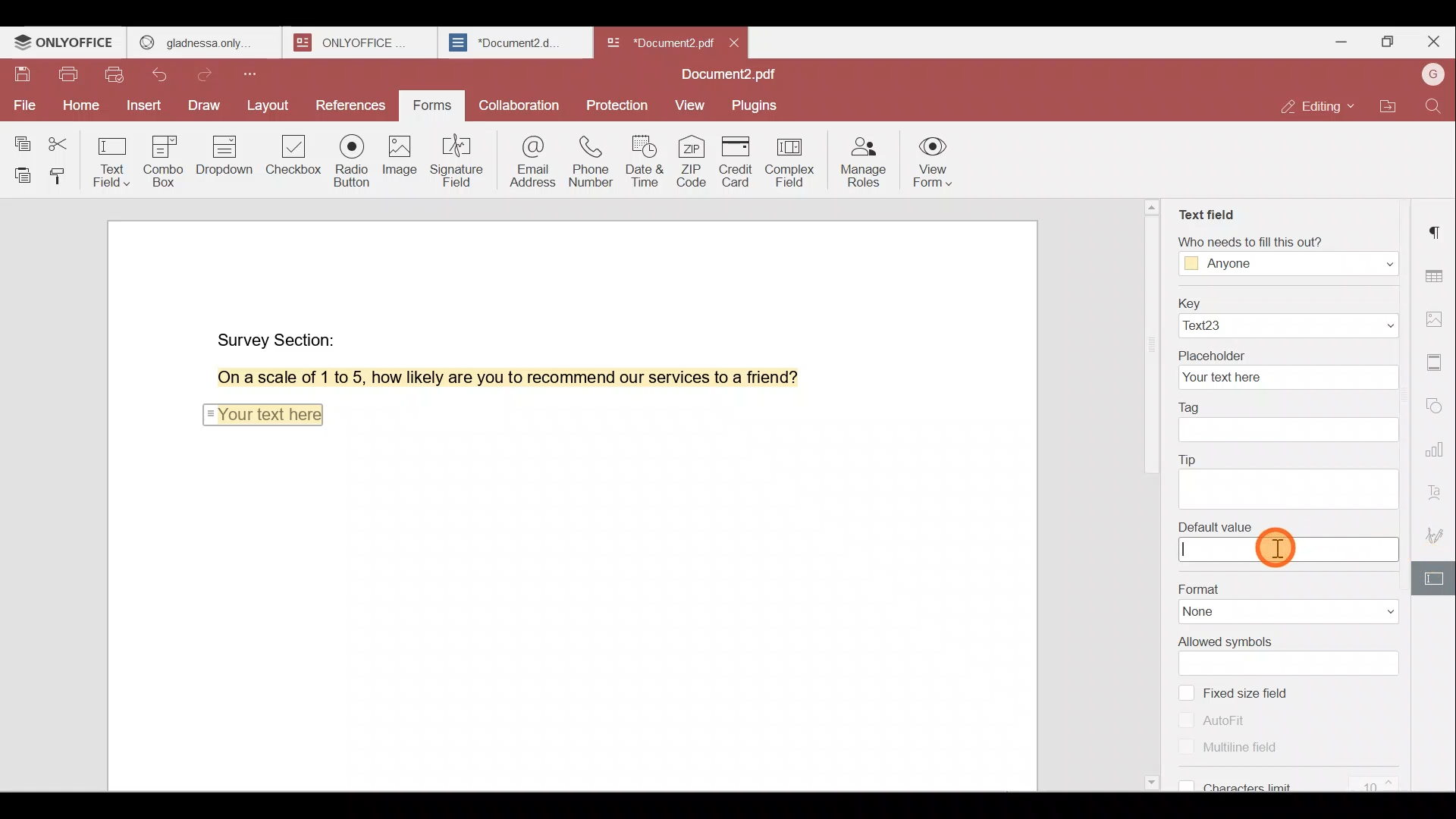  Describe the element at coordinates (1279, 546) in the screenshot. I see `Cursor` at that location.